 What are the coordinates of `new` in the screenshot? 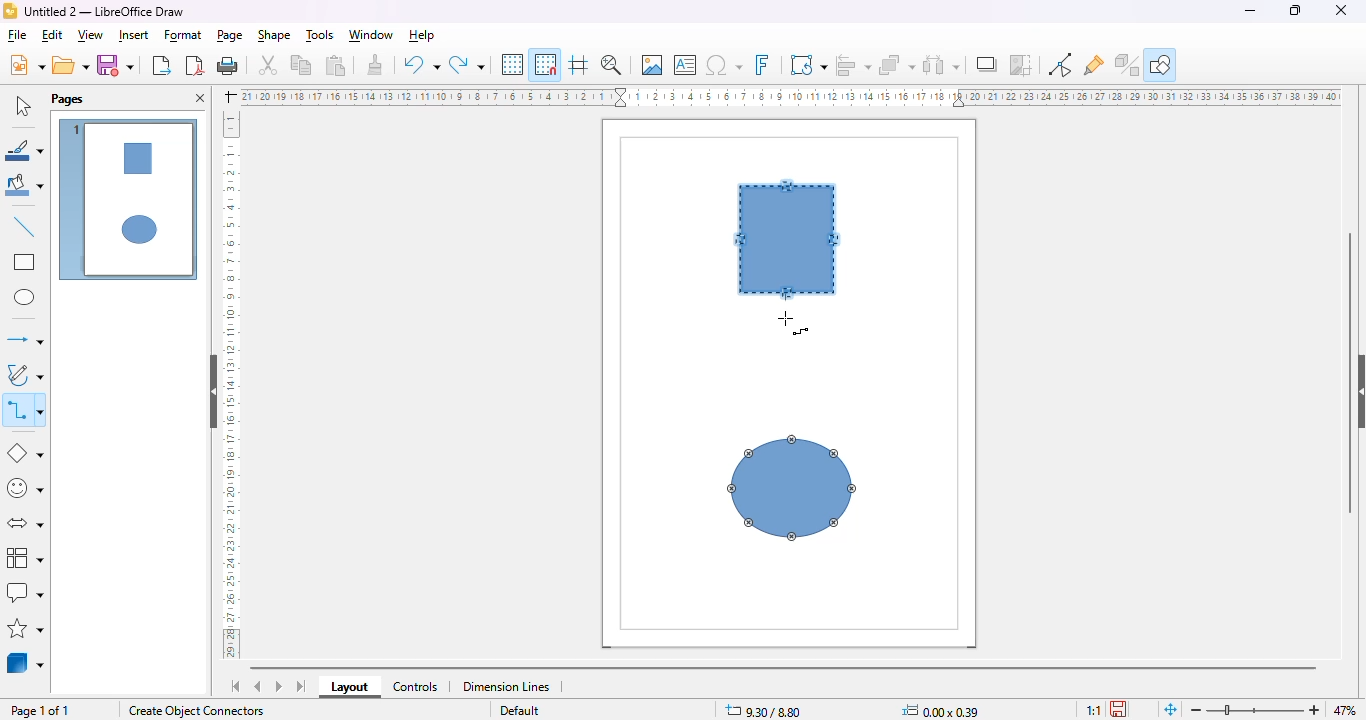 It's located at (27, 64).